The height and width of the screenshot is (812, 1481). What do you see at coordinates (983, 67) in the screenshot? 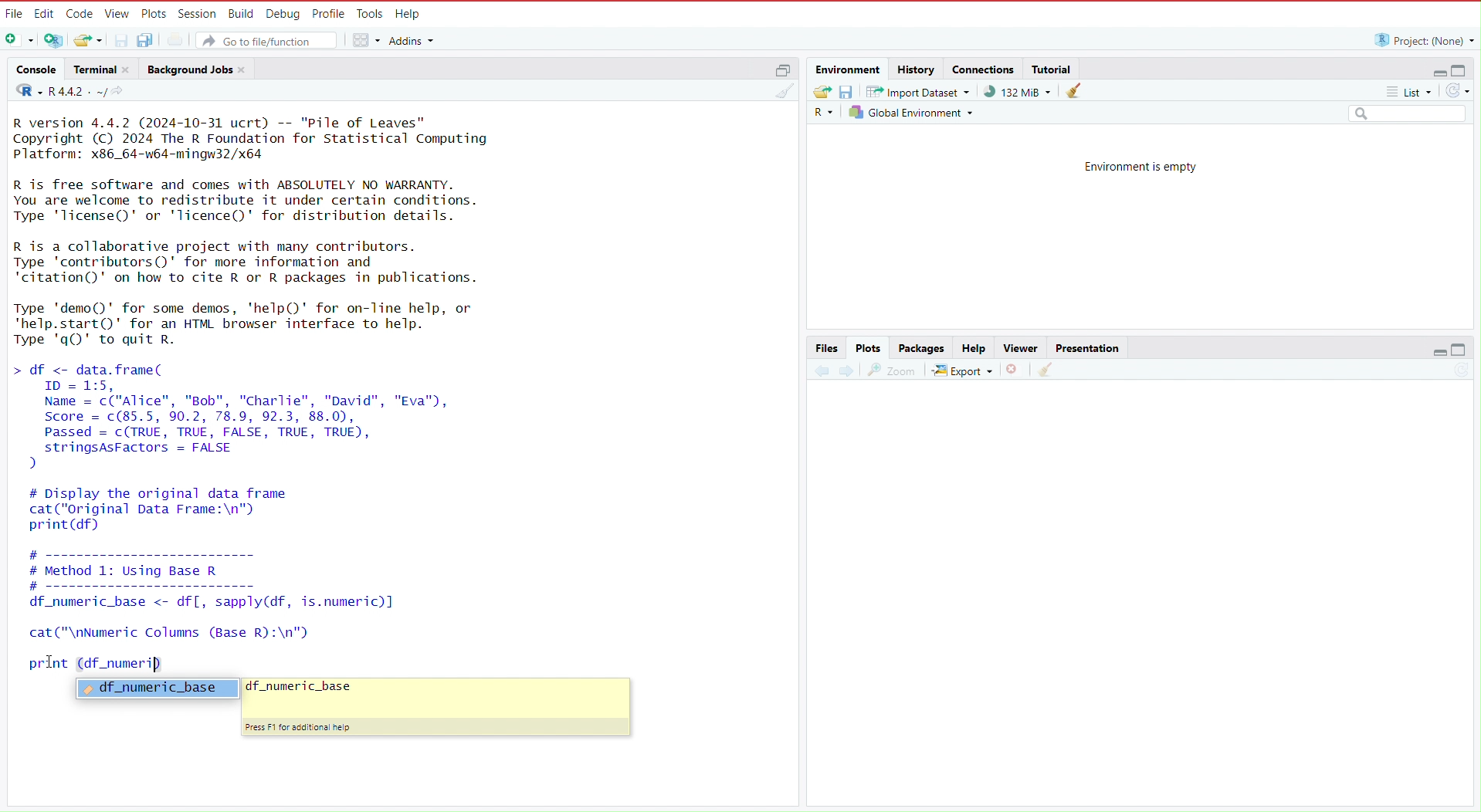
I see `connections` at bounding box center [983, 67].